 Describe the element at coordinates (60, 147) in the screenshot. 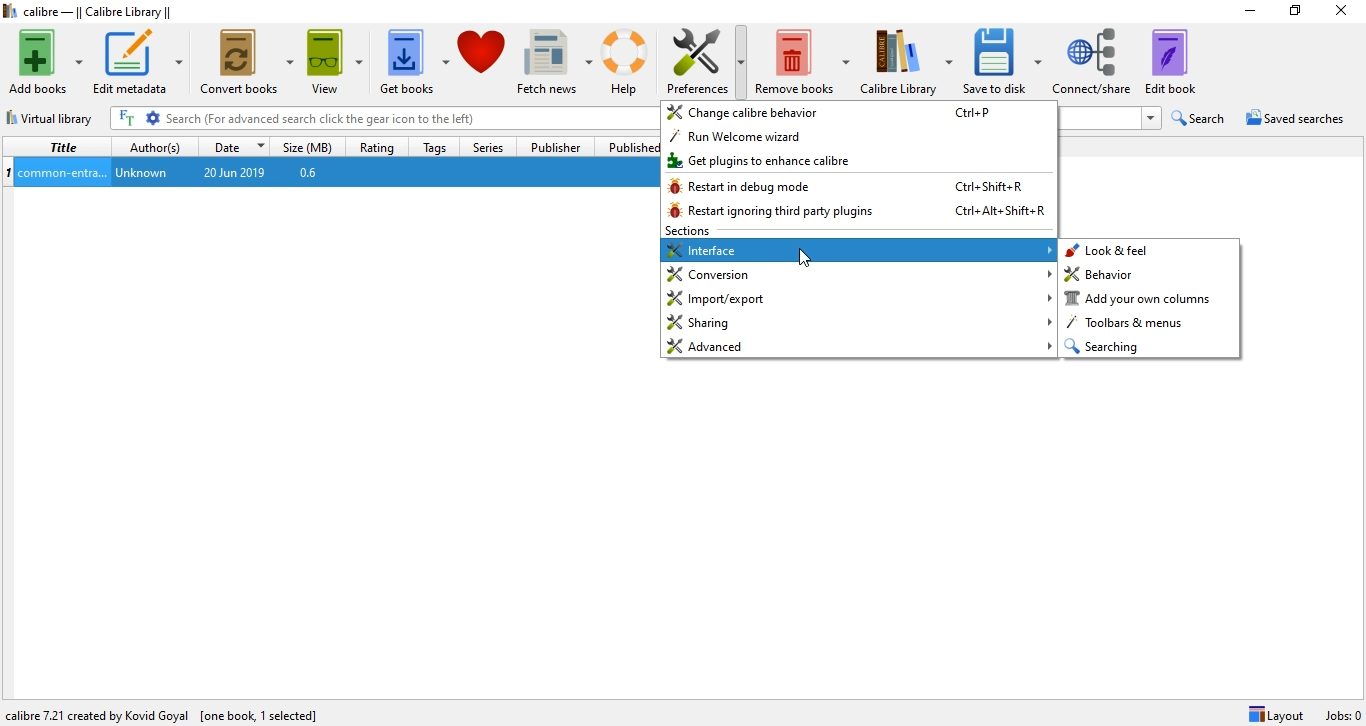

I see `Title` at that location.